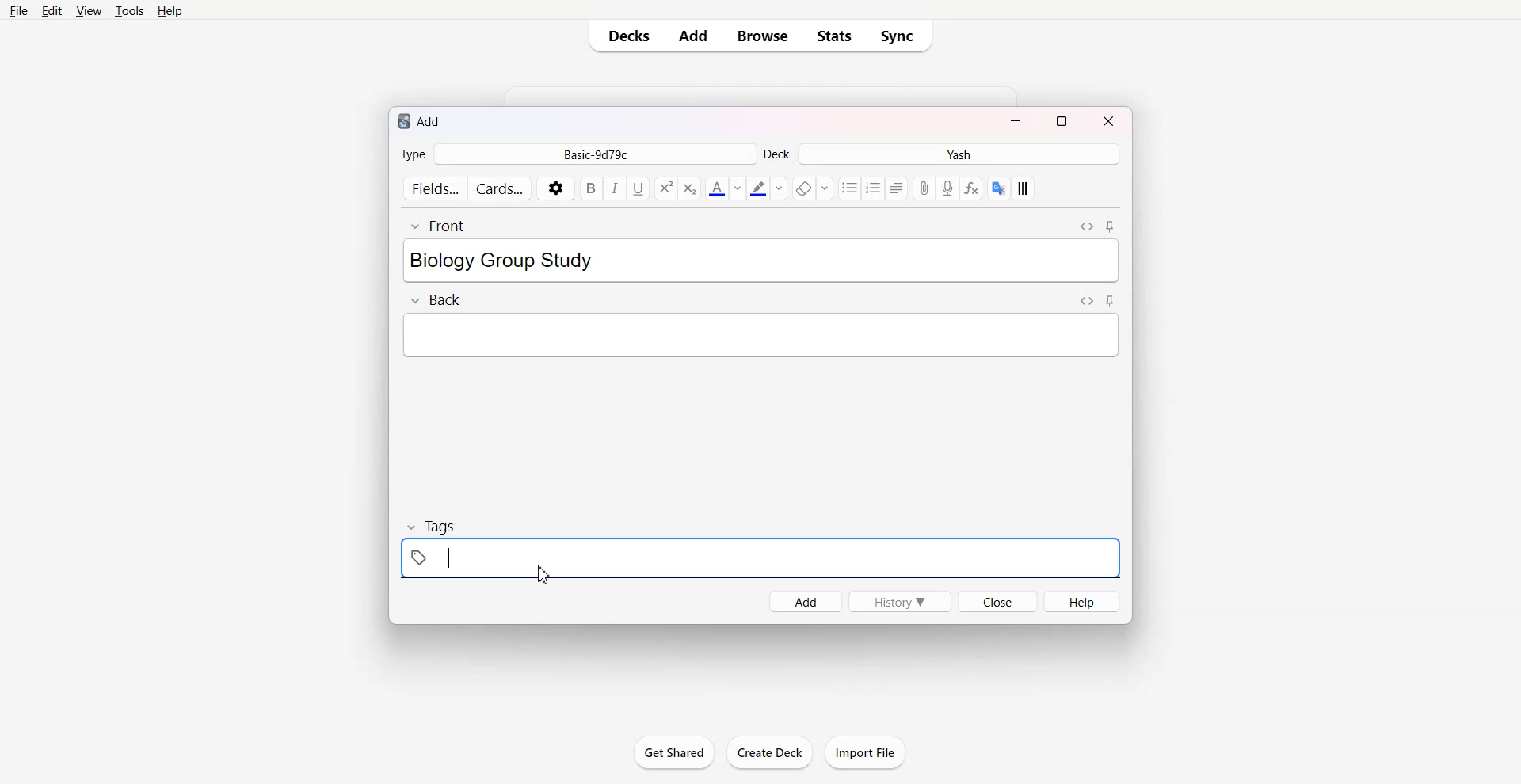  I want to click on Record Audio, so click(947, 188).